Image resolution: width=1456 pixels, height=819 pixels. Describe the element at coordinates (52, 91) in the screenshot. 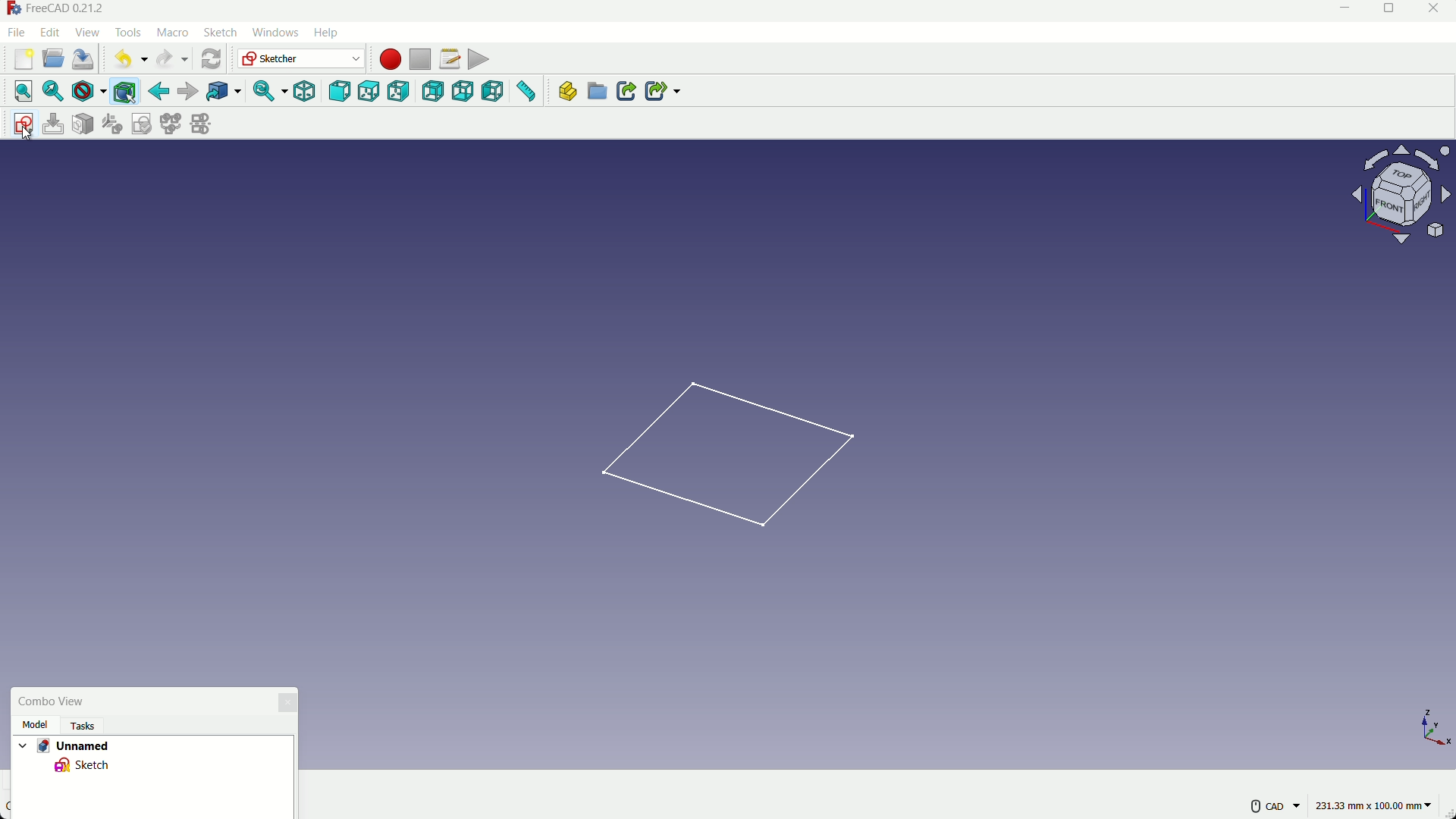

I see `select fit` at that location.